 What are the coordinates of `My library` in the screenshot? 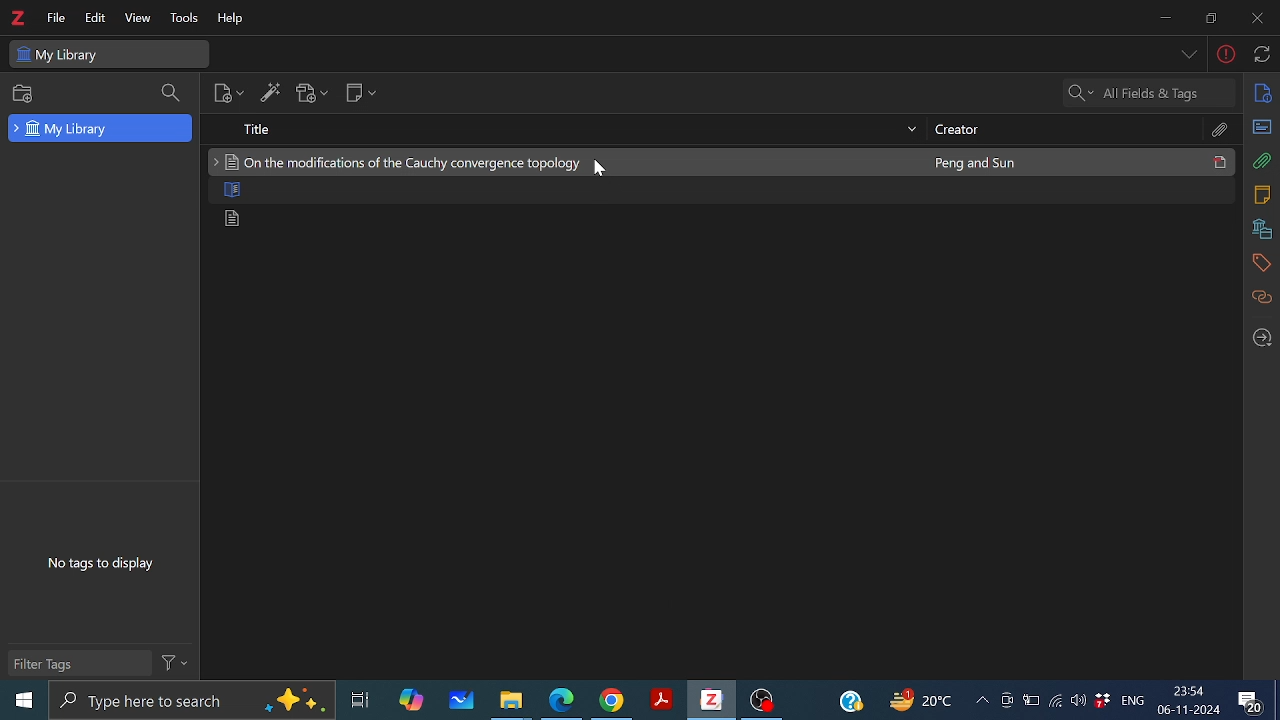 It's located at (110, 53).